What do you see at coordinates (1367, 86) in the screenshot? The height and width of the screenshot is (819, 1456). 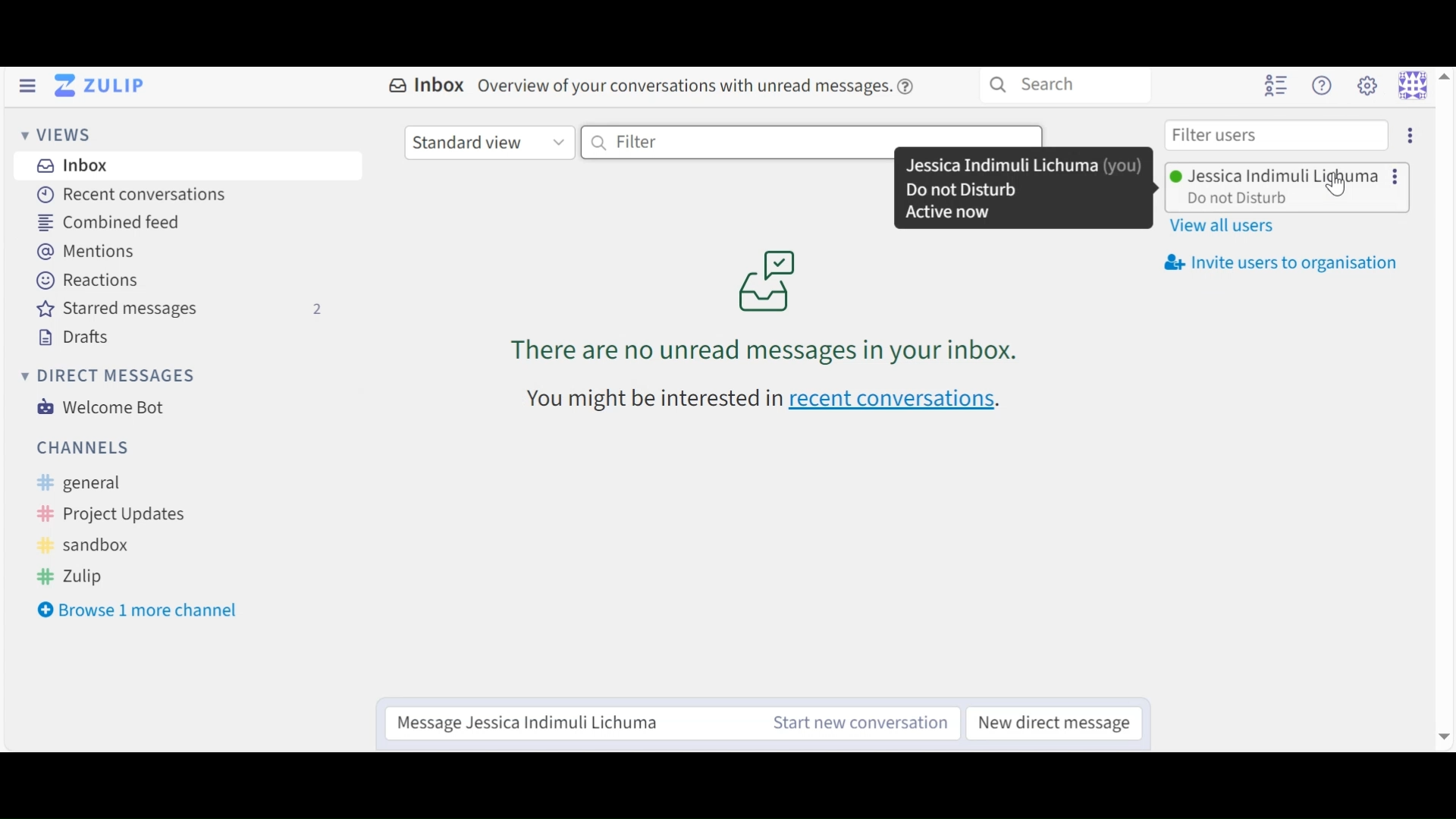 I see `Main menu` at bounding box center [1367, 86].